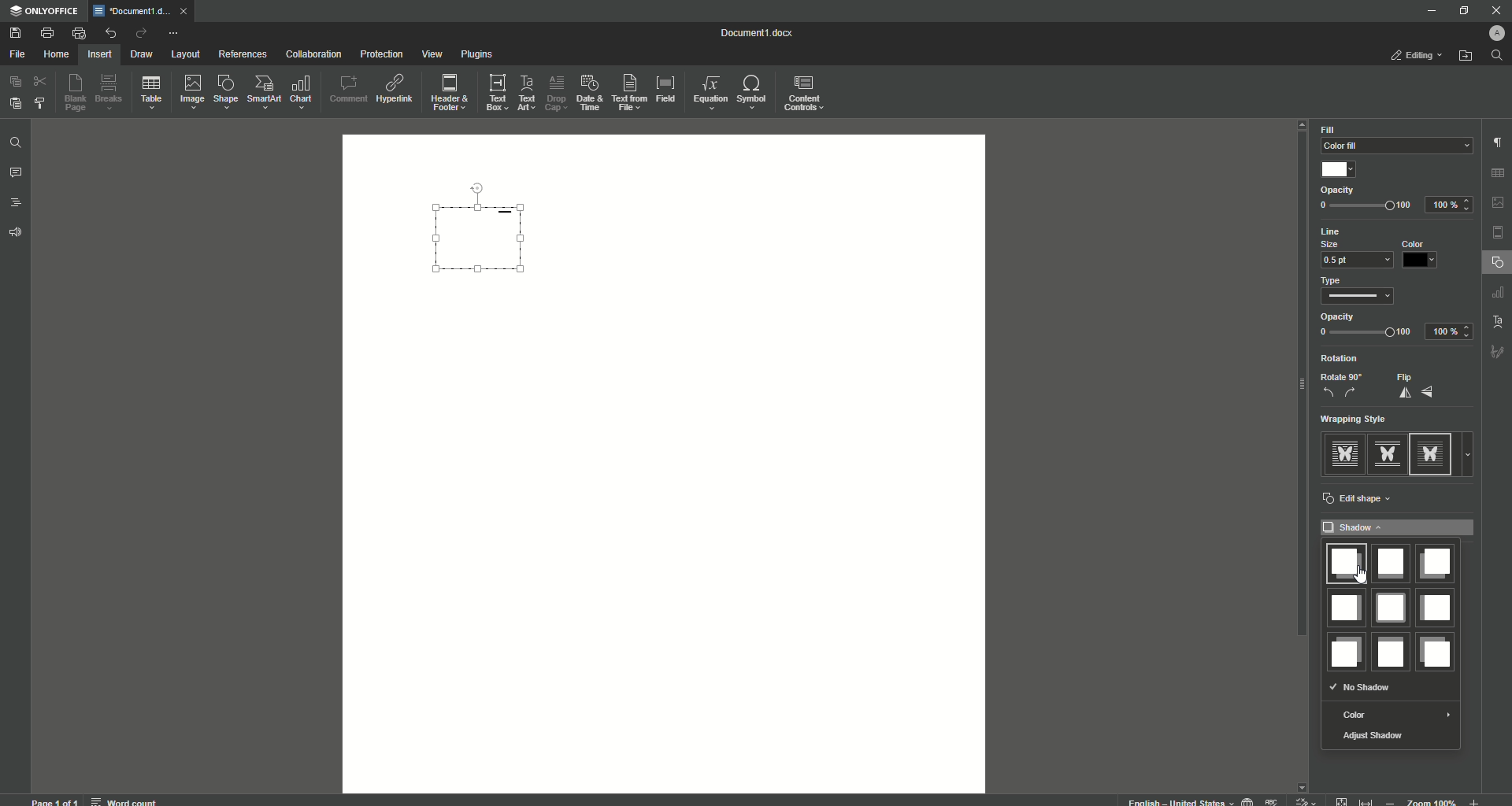 The width and height of the screenshot is (1512, 806). Describe the element at coordinates (396, 89) in the screenshot. I see `Hyperlink` at that location.